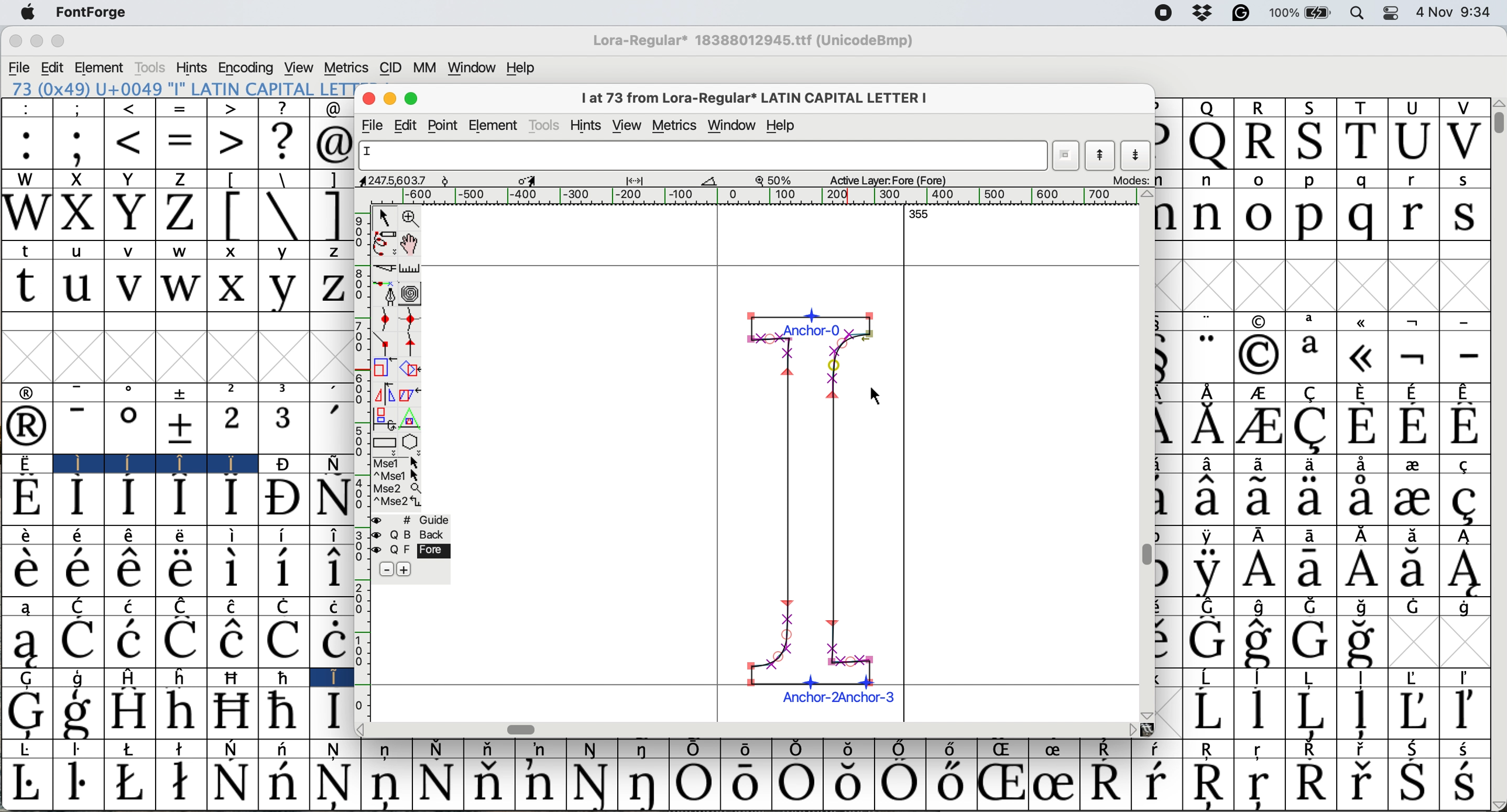 The width and height of the screenshot is (1507, 812). What do you see at coordinates (1414, 107) in the screenshot?
I see `U` at bounding box center [1414, 107].